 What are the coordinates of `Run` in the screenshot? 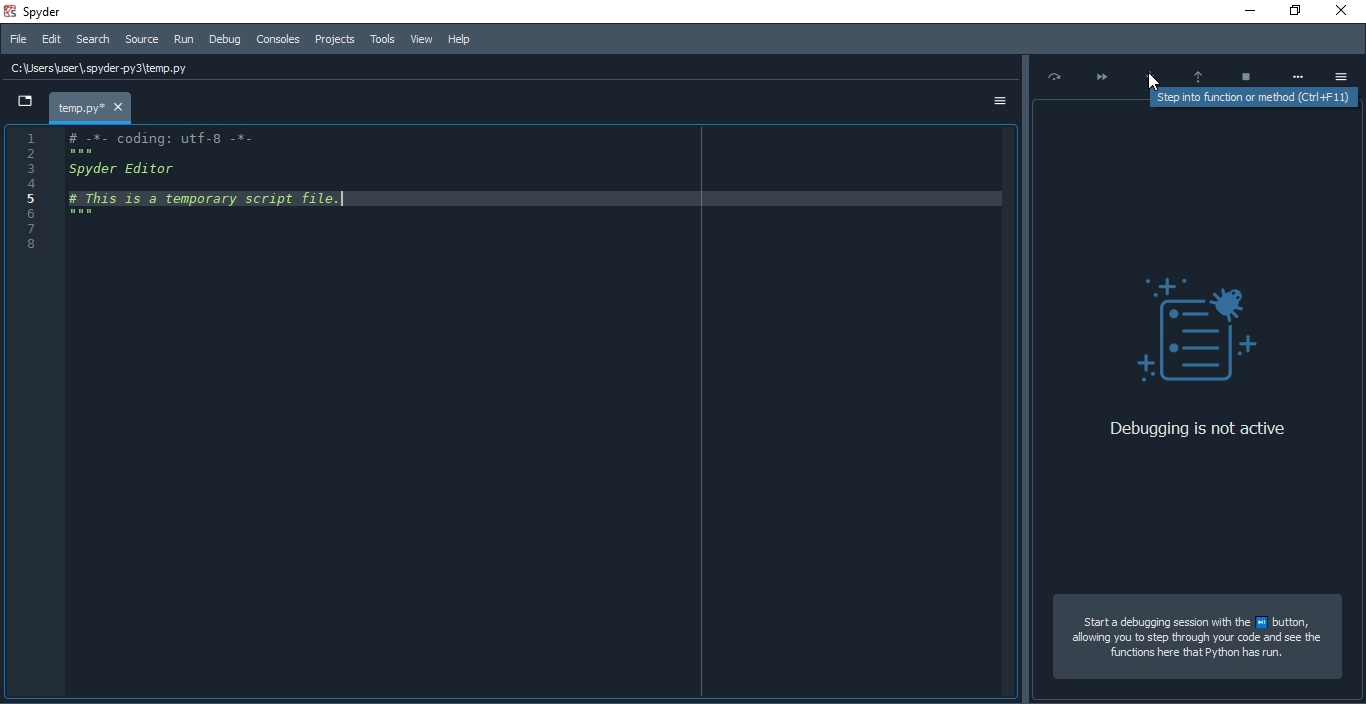 It's located at (184, 40).